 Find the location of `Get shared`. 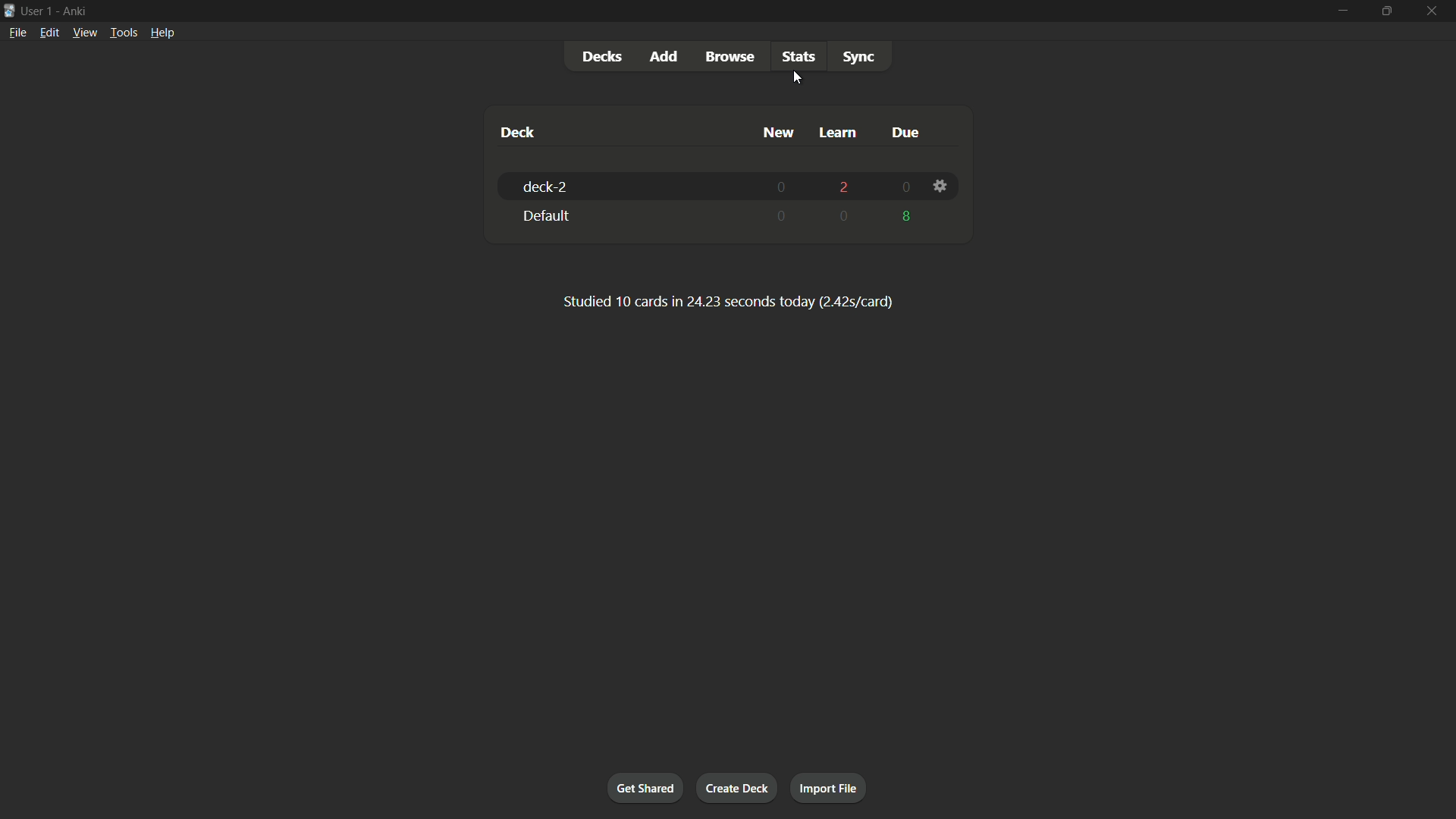

Get shared is located at coordinates (644, 782).